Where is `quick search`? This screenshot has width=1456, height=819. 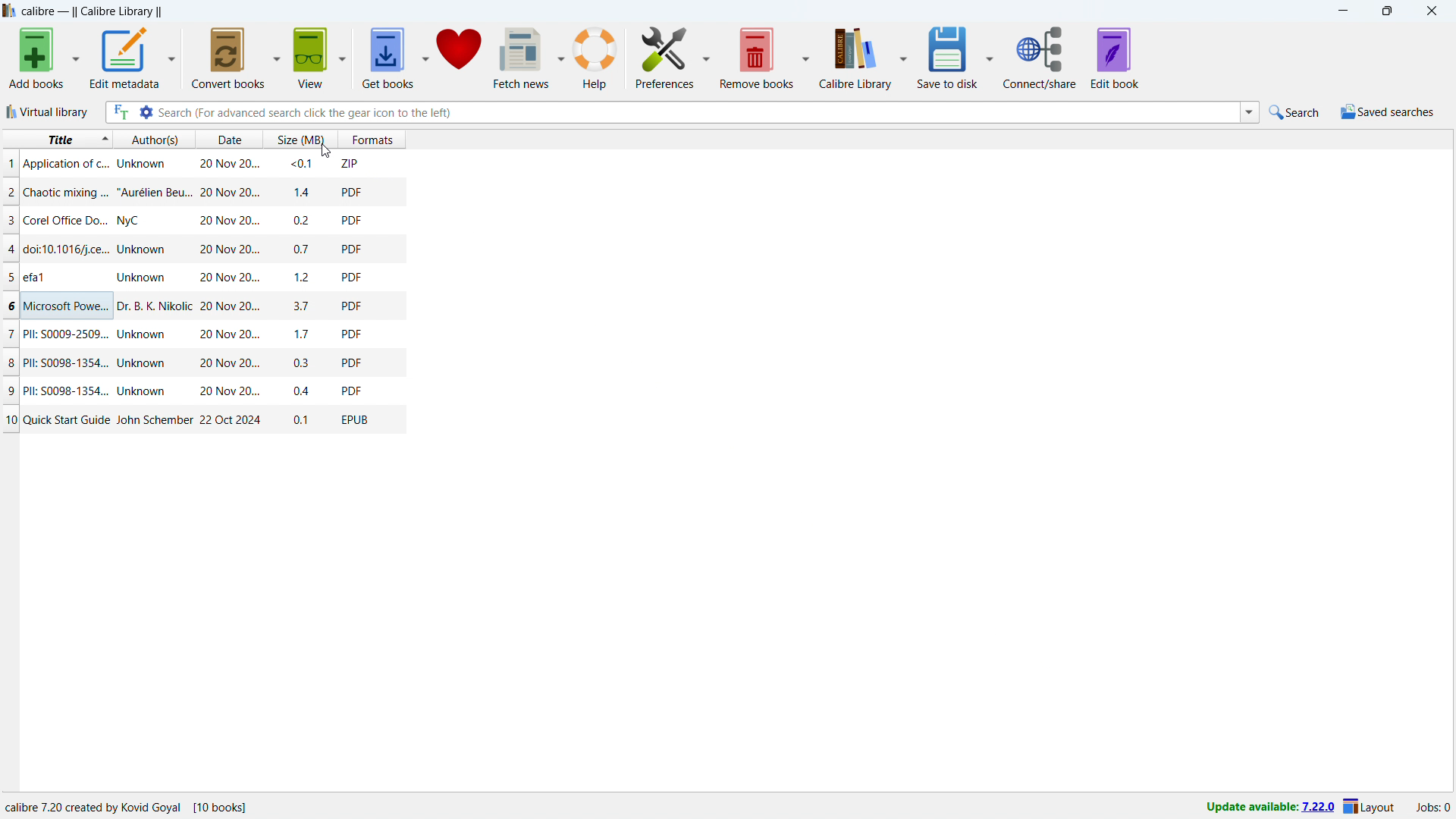 quick search is located at coordinates (1294, 112).